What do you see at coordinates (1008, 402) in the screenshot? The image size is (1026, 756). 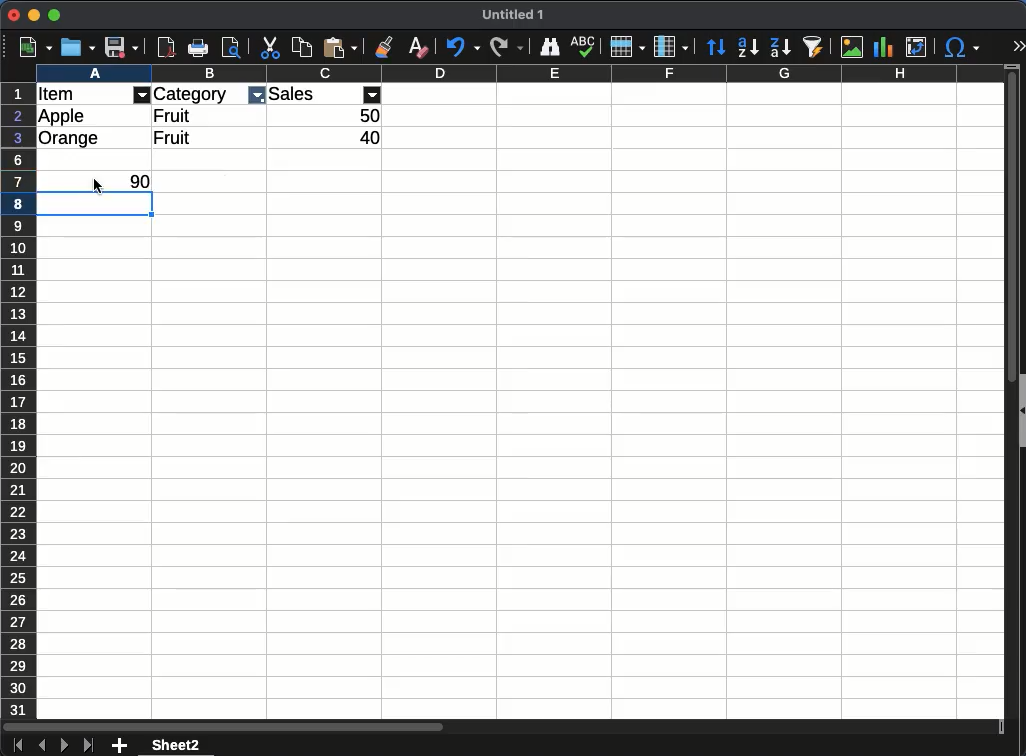 I see `scroll` at bounding box center [1008, 402].